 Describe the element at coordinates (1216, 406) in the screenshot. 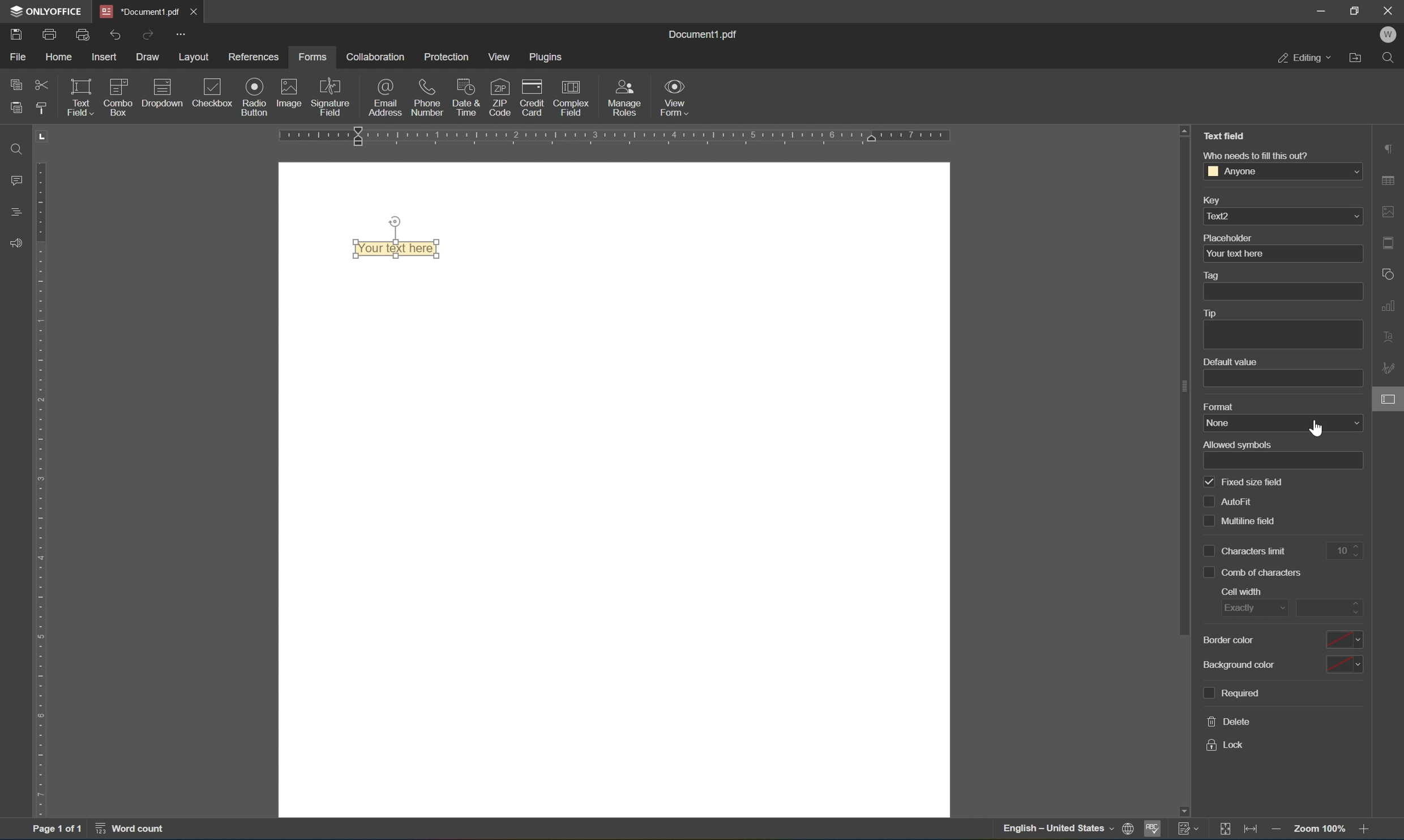

I see `format` at that location.